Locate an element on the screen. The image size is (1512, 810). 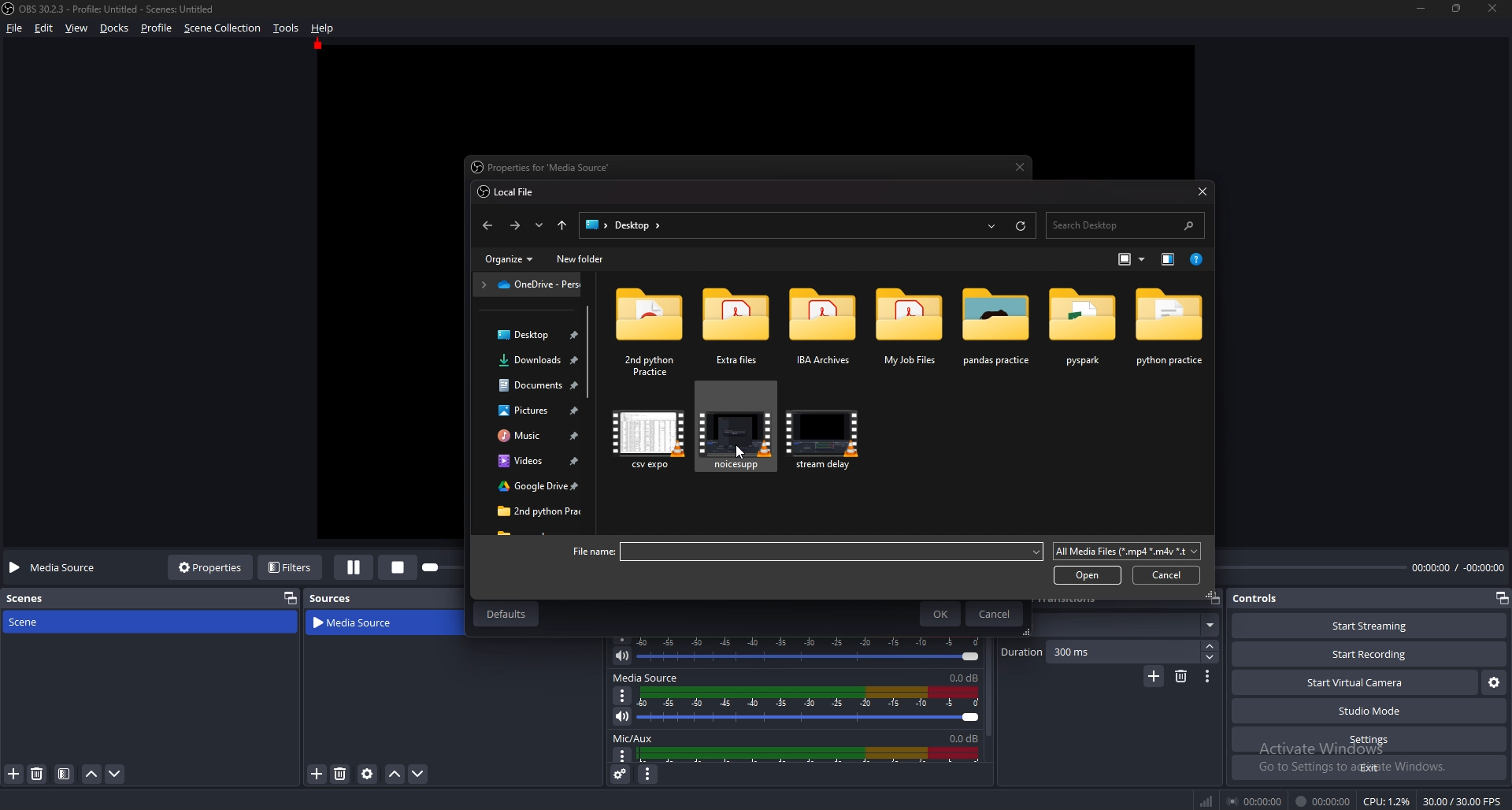
Transition properties is located at coordinates (1207, 677).